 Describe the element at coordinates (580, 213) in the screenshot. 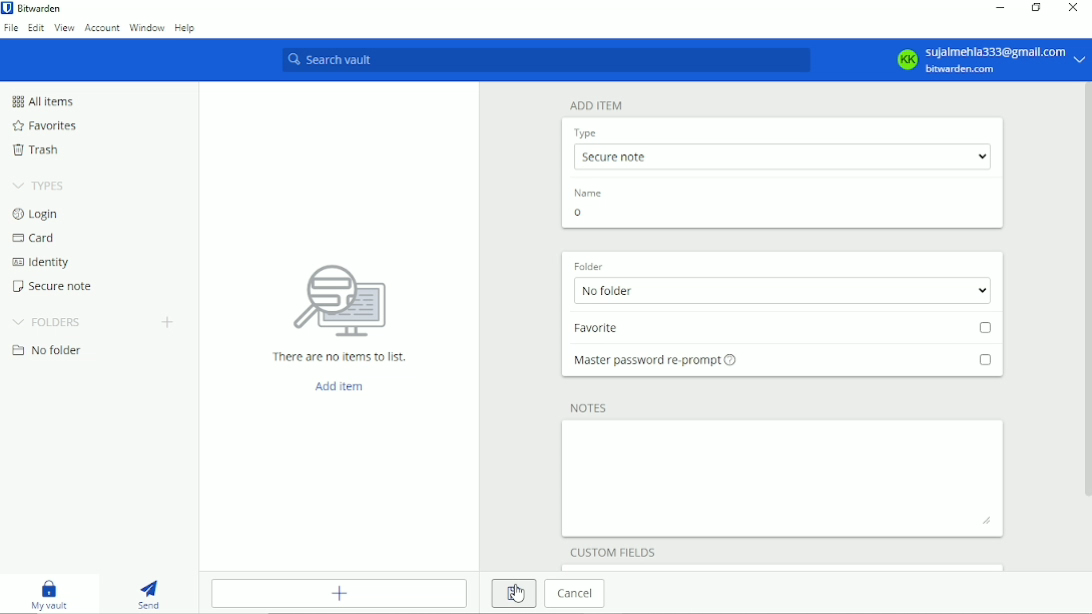

I see `o` at that location.